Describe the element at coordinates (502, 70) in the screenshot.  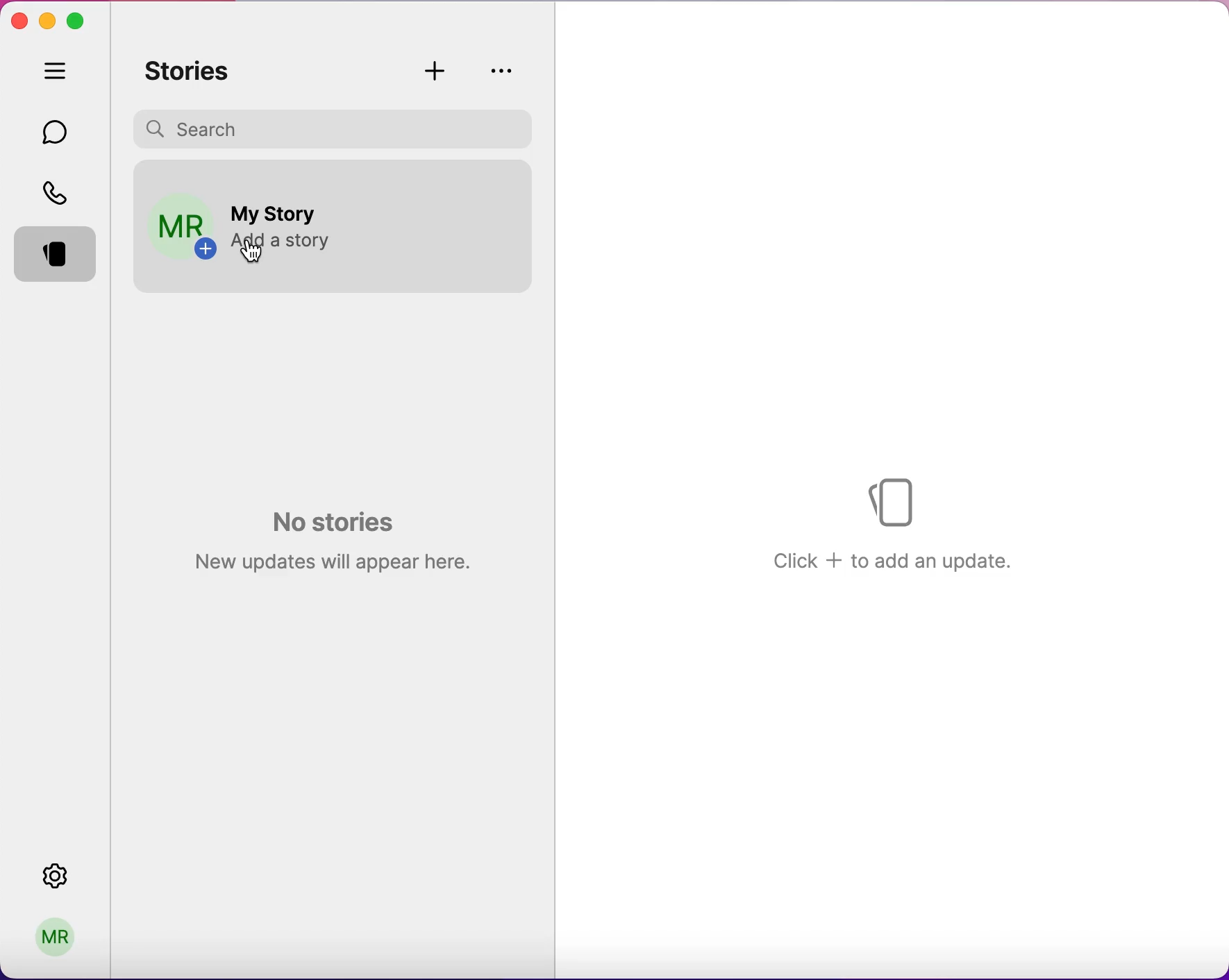
I see `story privacy` at that location.